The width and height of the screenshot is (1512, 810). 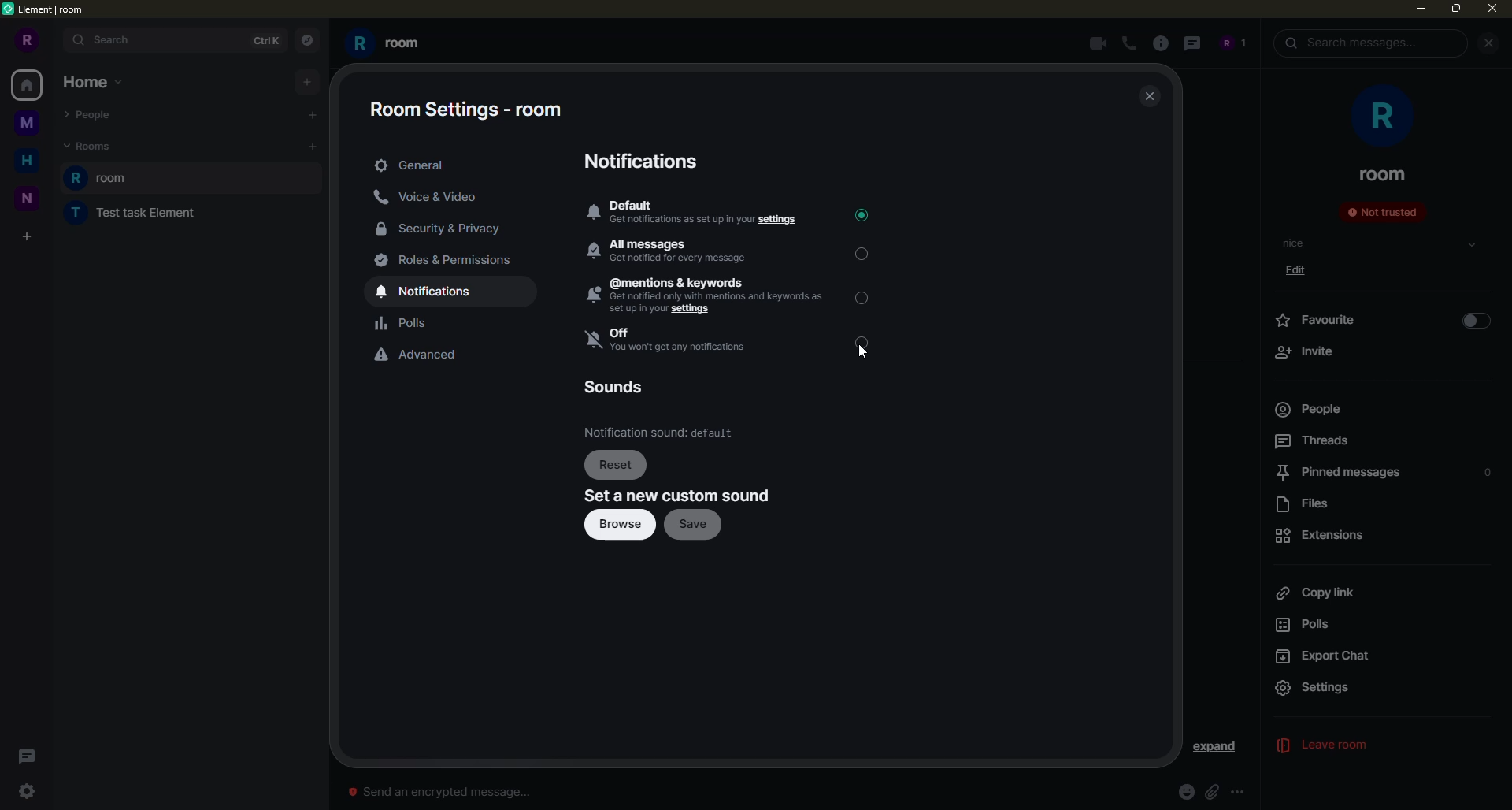 I want to click on not trusted, so click(x=1381, y=211).